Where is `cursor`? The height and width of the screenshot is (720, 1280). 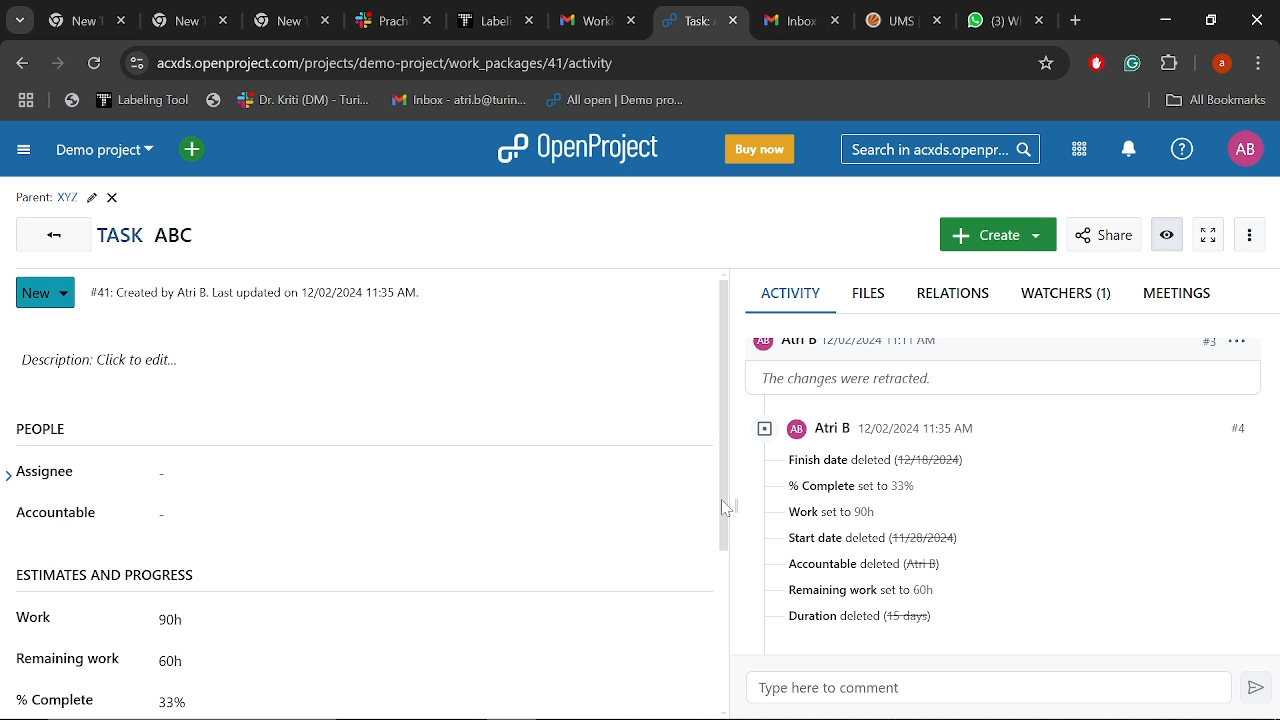
cursor is located at coordinates (730, 512).